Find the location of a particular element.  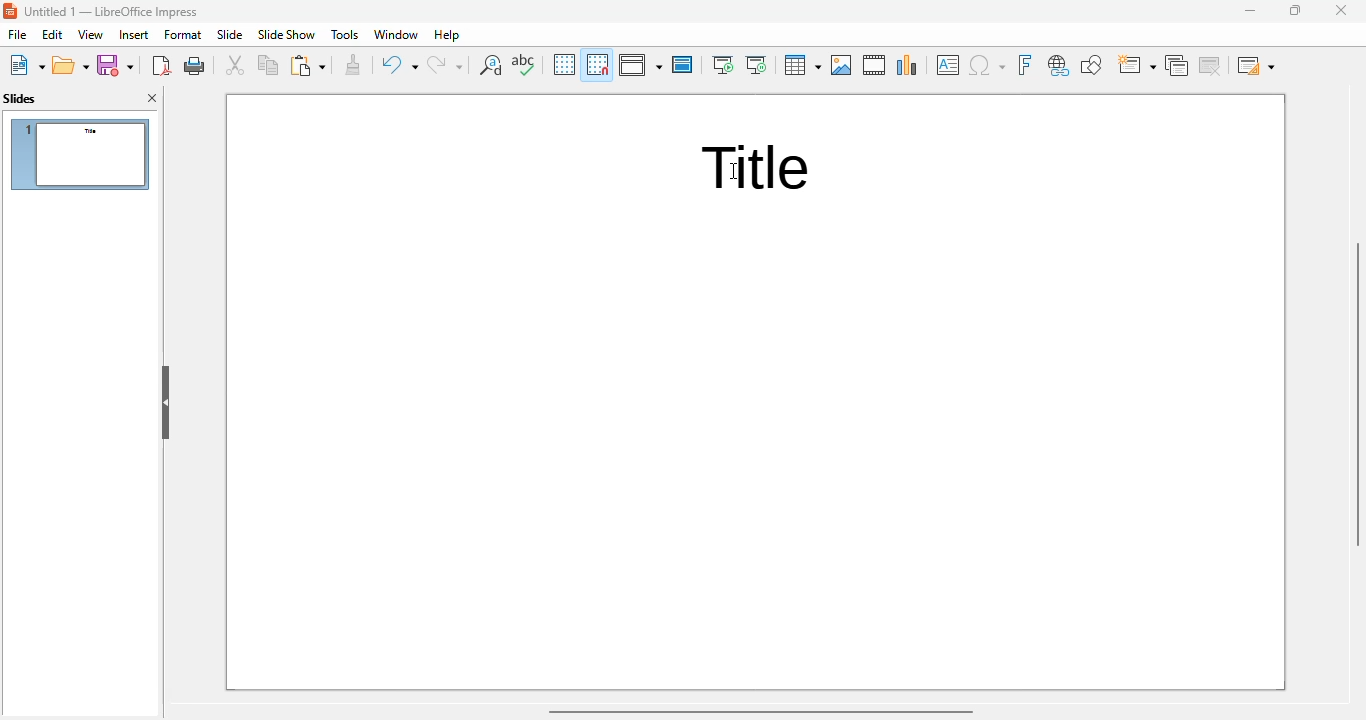

cursor is located at coordinates (736, 170).